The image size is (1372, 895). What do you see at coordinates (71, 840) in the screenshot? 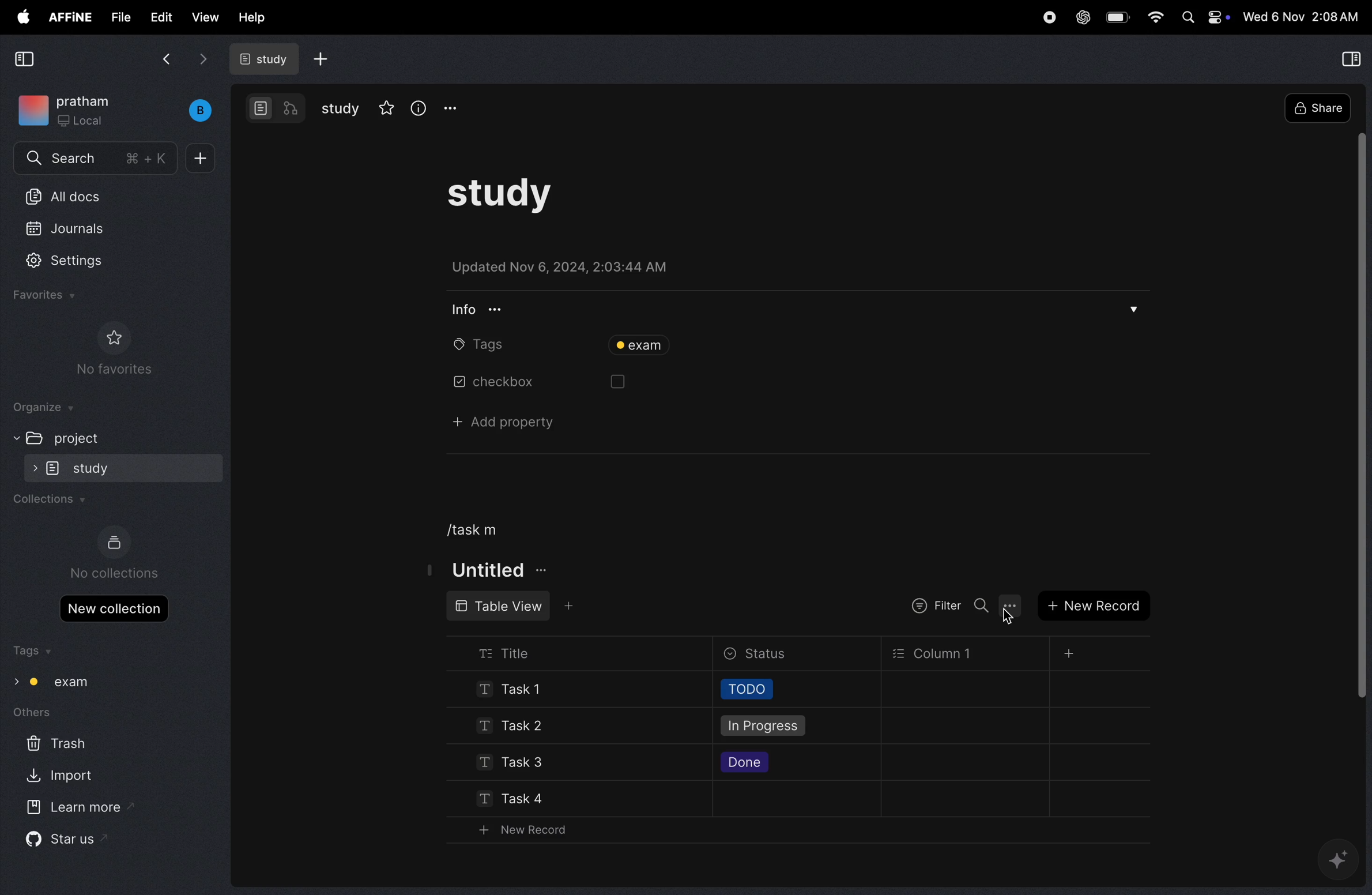
I see `star us` at bounding box center [71, 840].